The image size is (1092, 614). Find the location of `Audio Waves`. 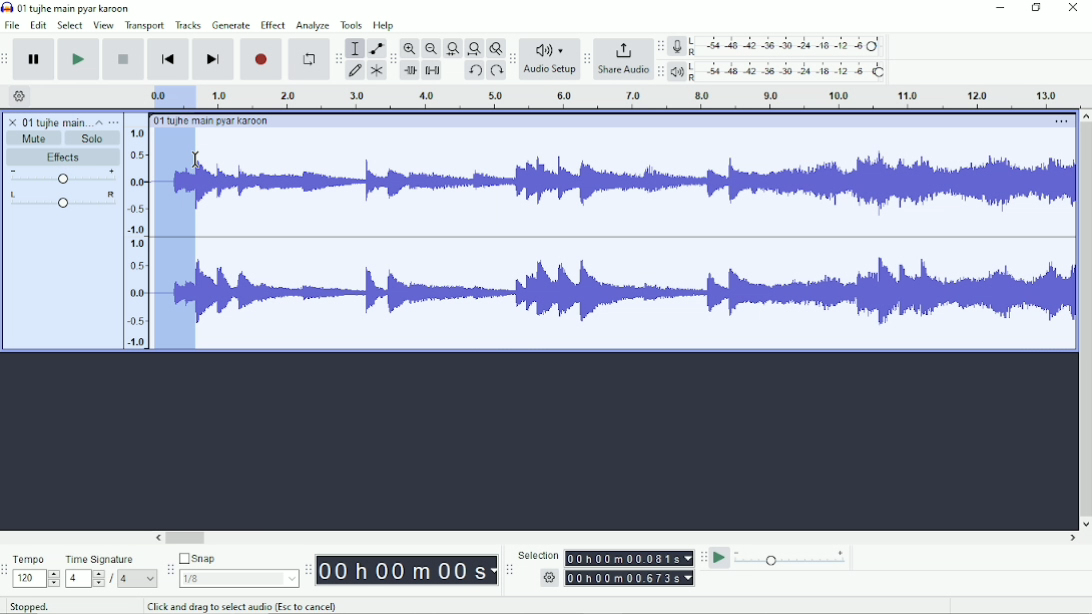

Audio Waves is located at coordinates (636, 186).